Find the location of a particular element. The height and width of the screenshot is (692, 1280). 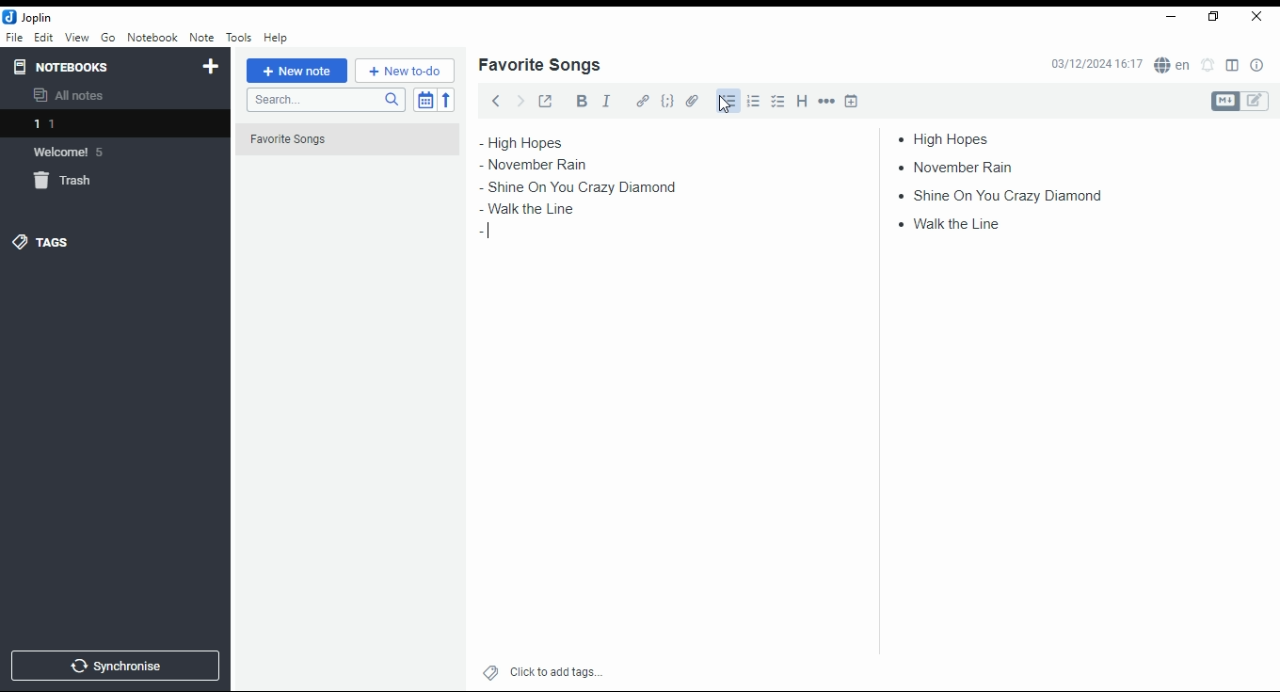

heading is located at coordinates (803, 99).